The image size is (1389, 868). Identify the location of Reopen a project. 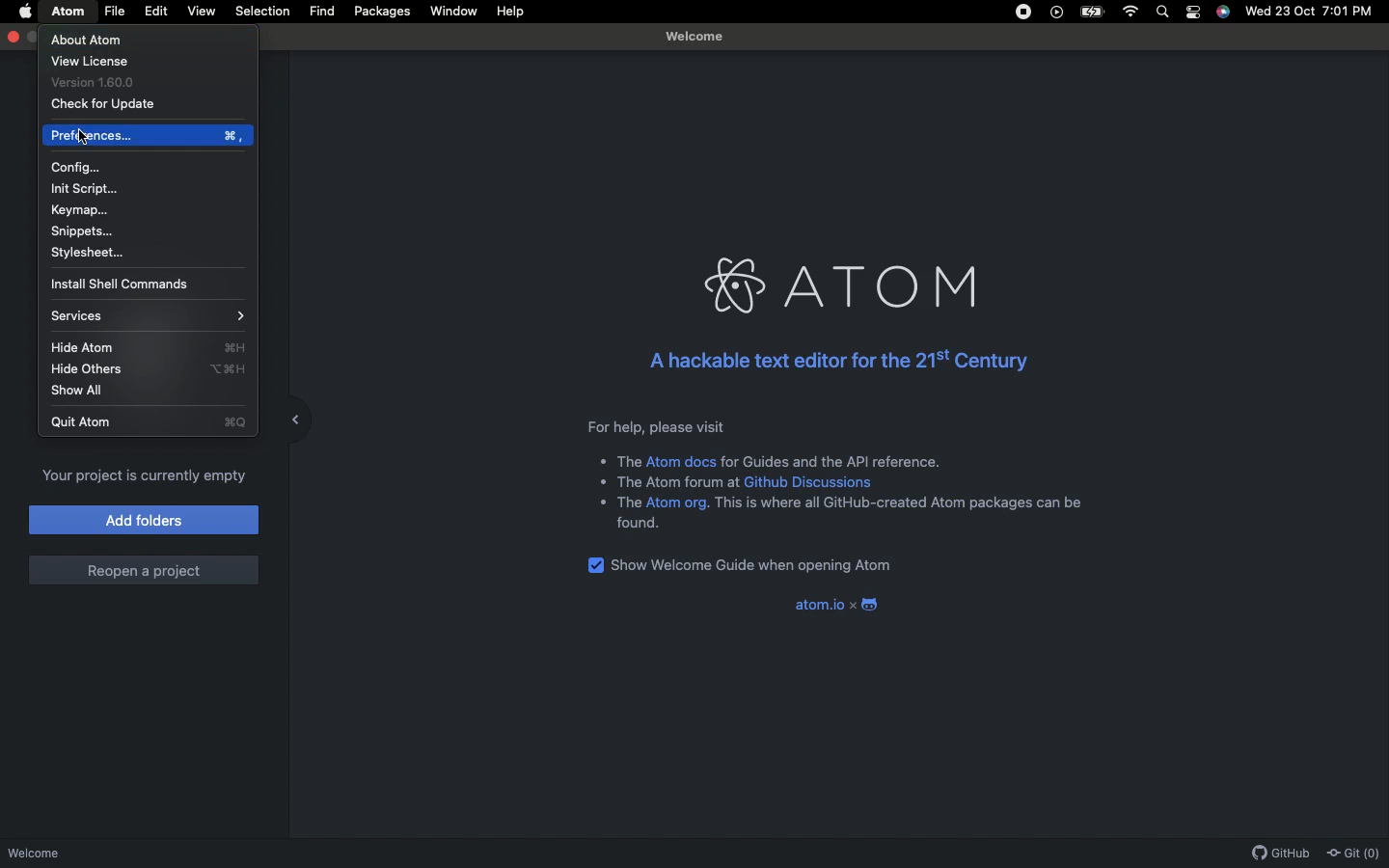
(143, 571).